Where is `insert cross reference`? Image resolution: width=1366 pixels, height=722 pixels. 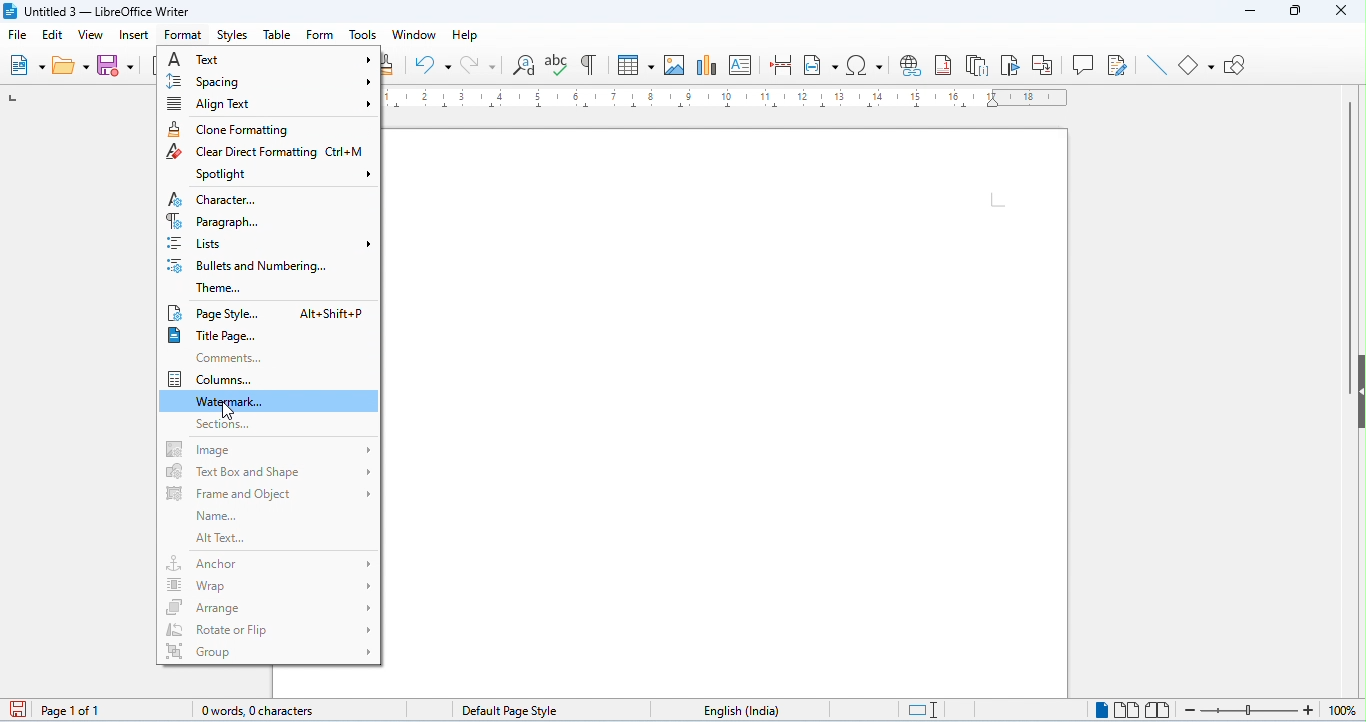 insert cross reference is located at coordinates (1045, 67).